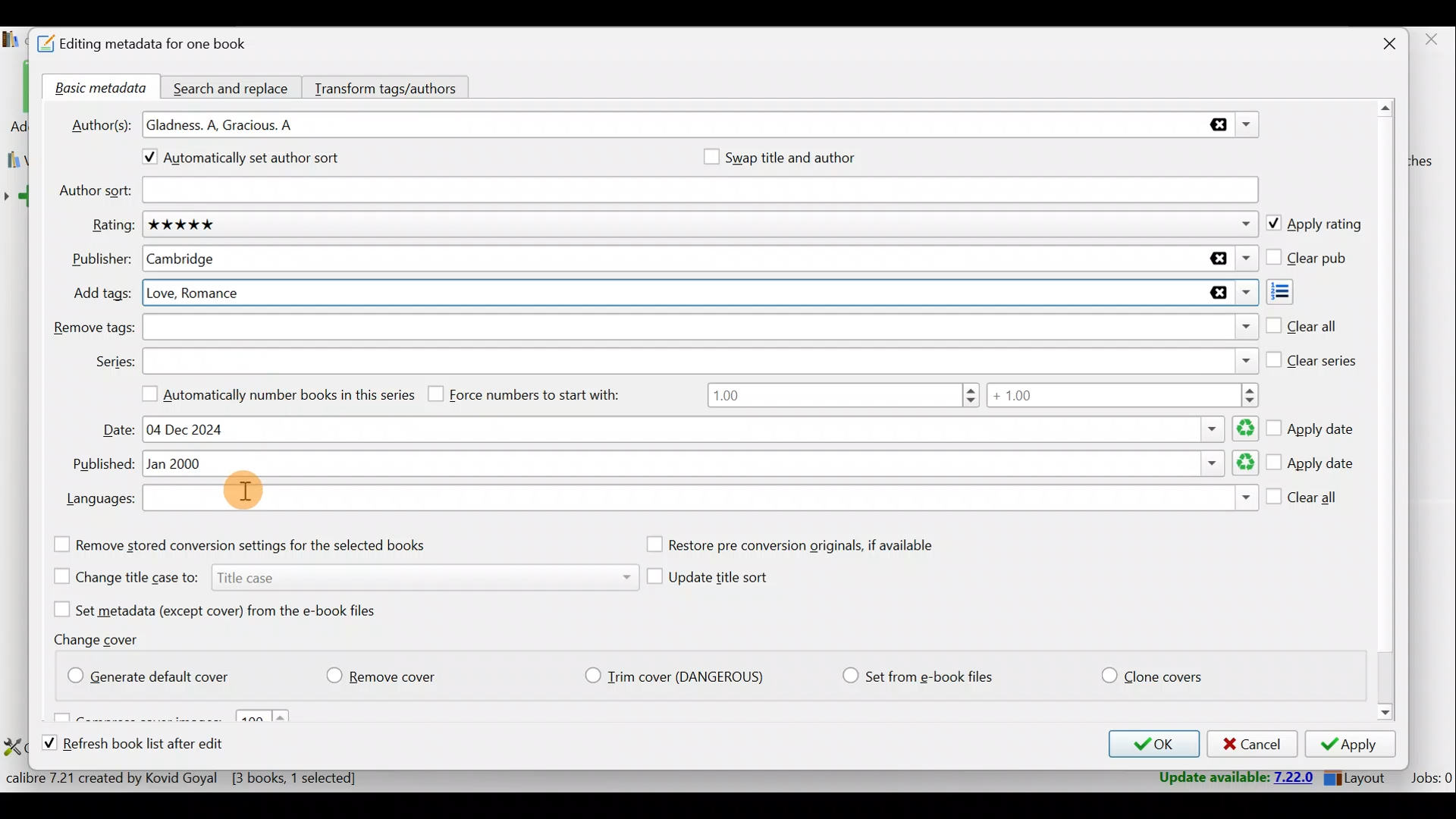 This screenshot has width=1456, height=819. I want to click on Force numbers to start with, so click(535, 394).